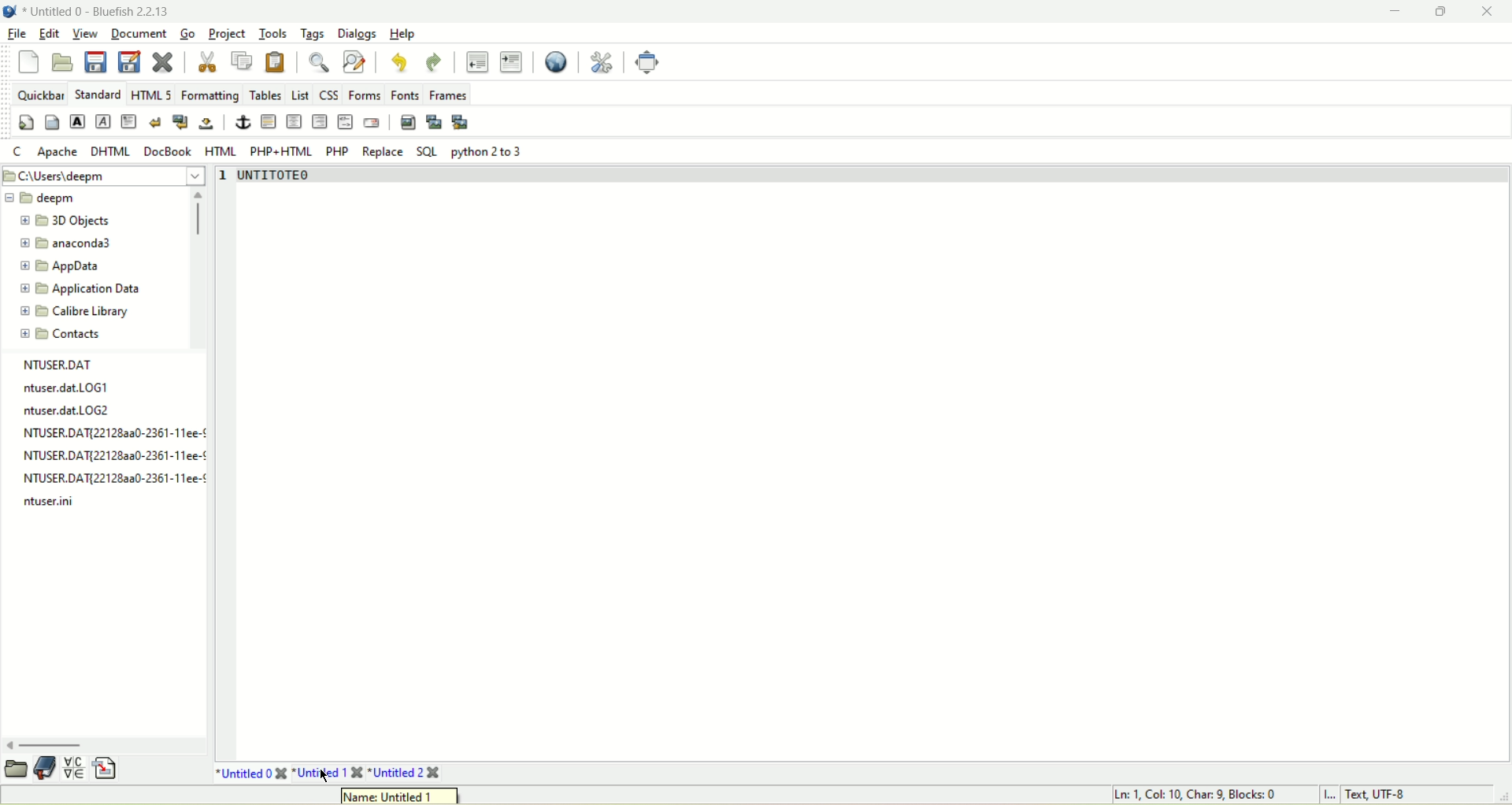 The image size is (1512, 805). Describe the element at coordinates (68, 336) in the screenshot. I see `contacts` at that location.